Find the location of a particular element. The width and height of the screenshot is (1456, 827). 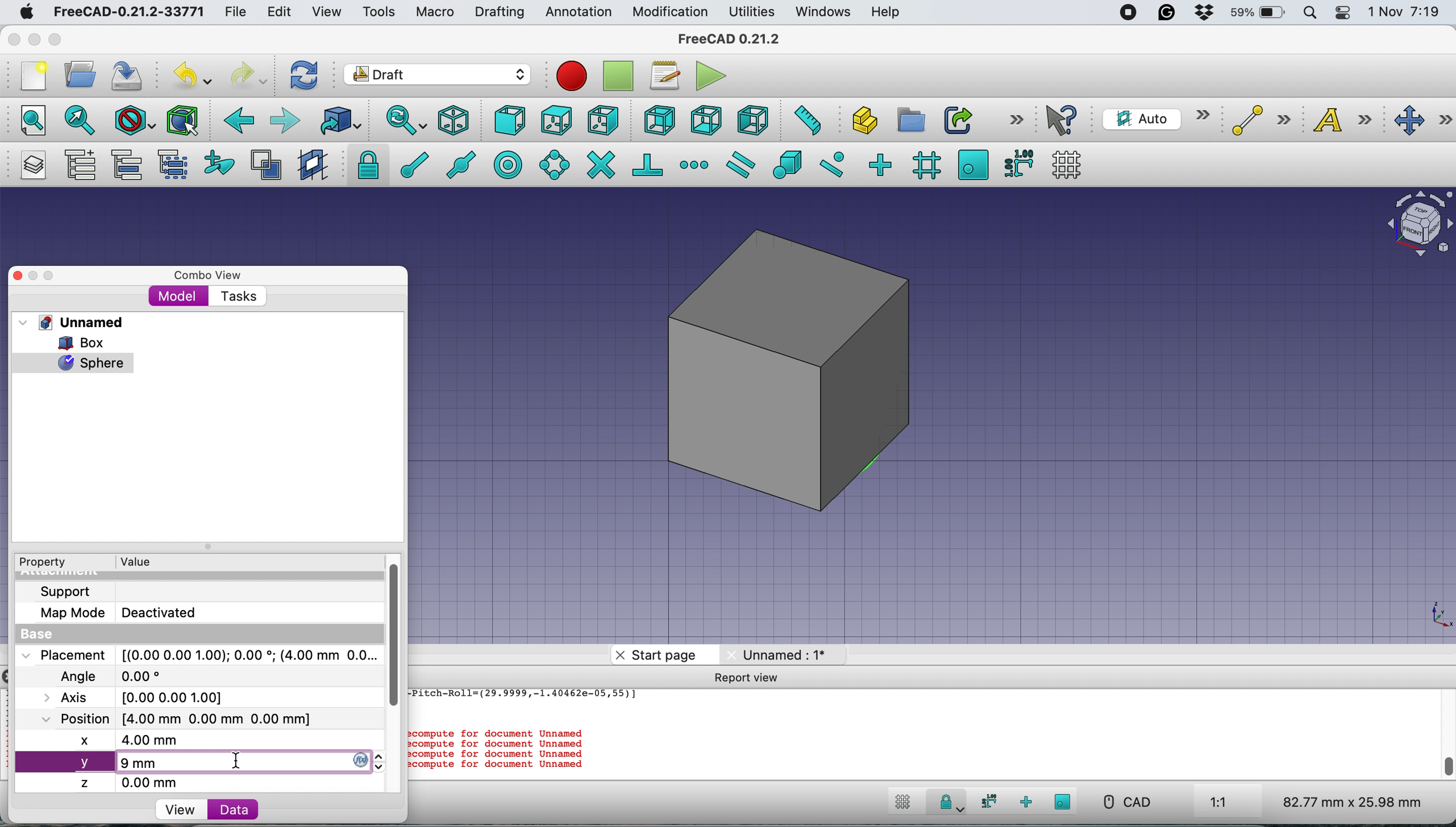

what's this is located at coordinates (1063, 120).